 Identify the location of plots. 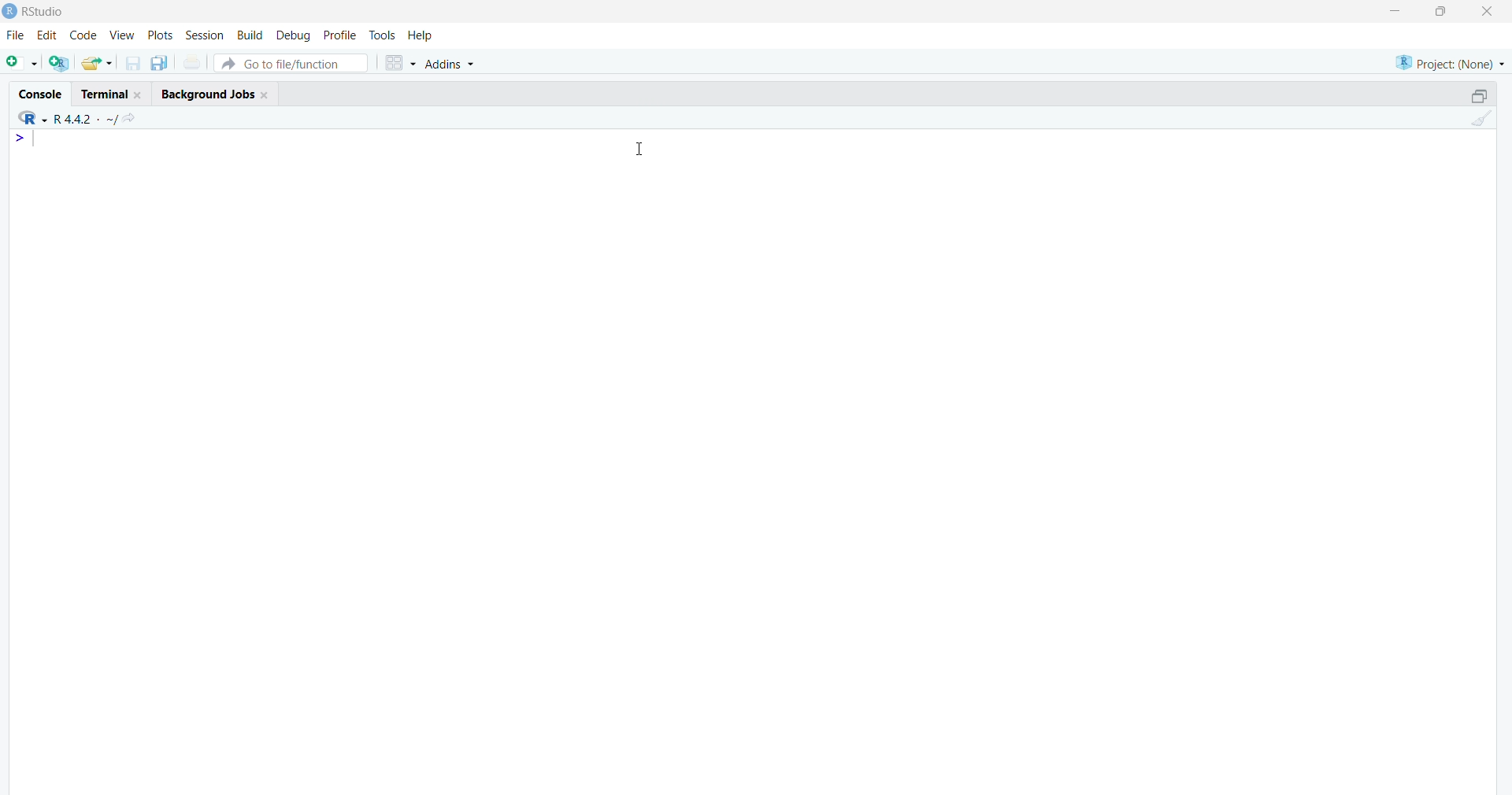
(162, 35).